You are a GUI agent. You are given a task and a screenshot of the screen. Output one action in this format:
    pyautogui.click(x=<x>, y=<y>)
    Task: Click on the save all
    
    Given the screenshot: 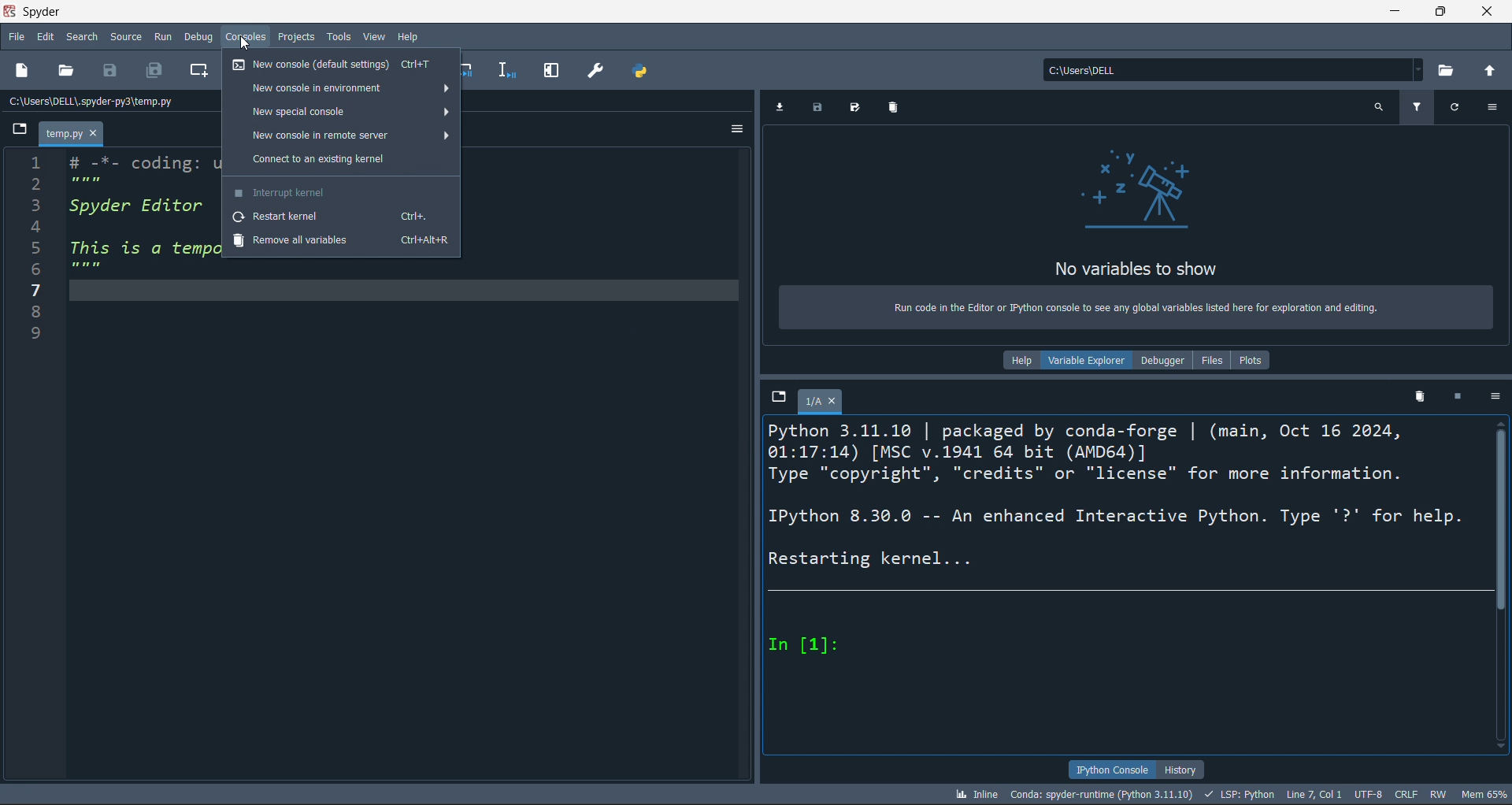 What is the action you would take?
    pyautogui.click(x=858, y=106)
    